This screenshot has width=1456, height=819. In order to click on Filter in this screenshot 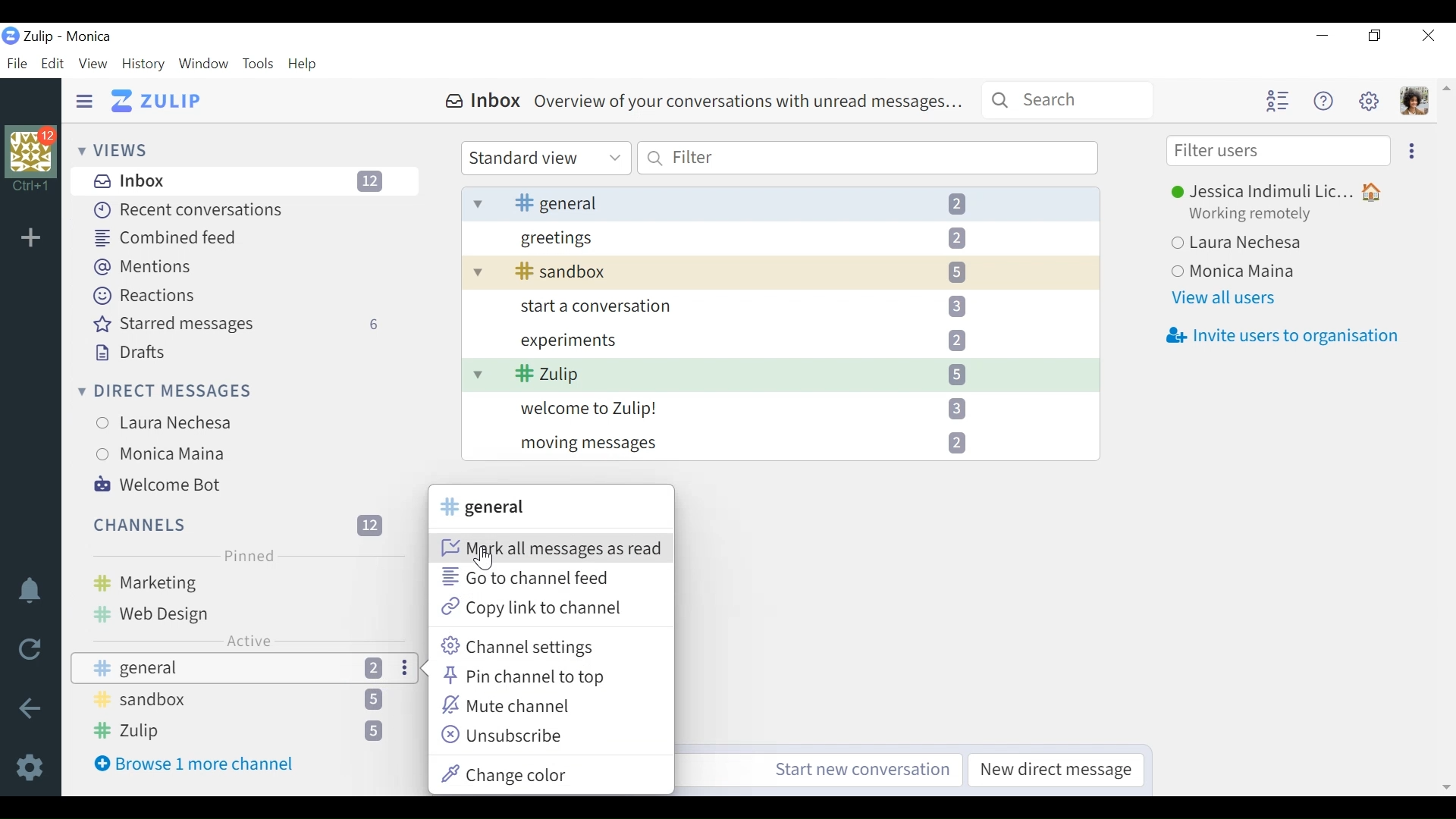, I will do `click(867, 157)`.